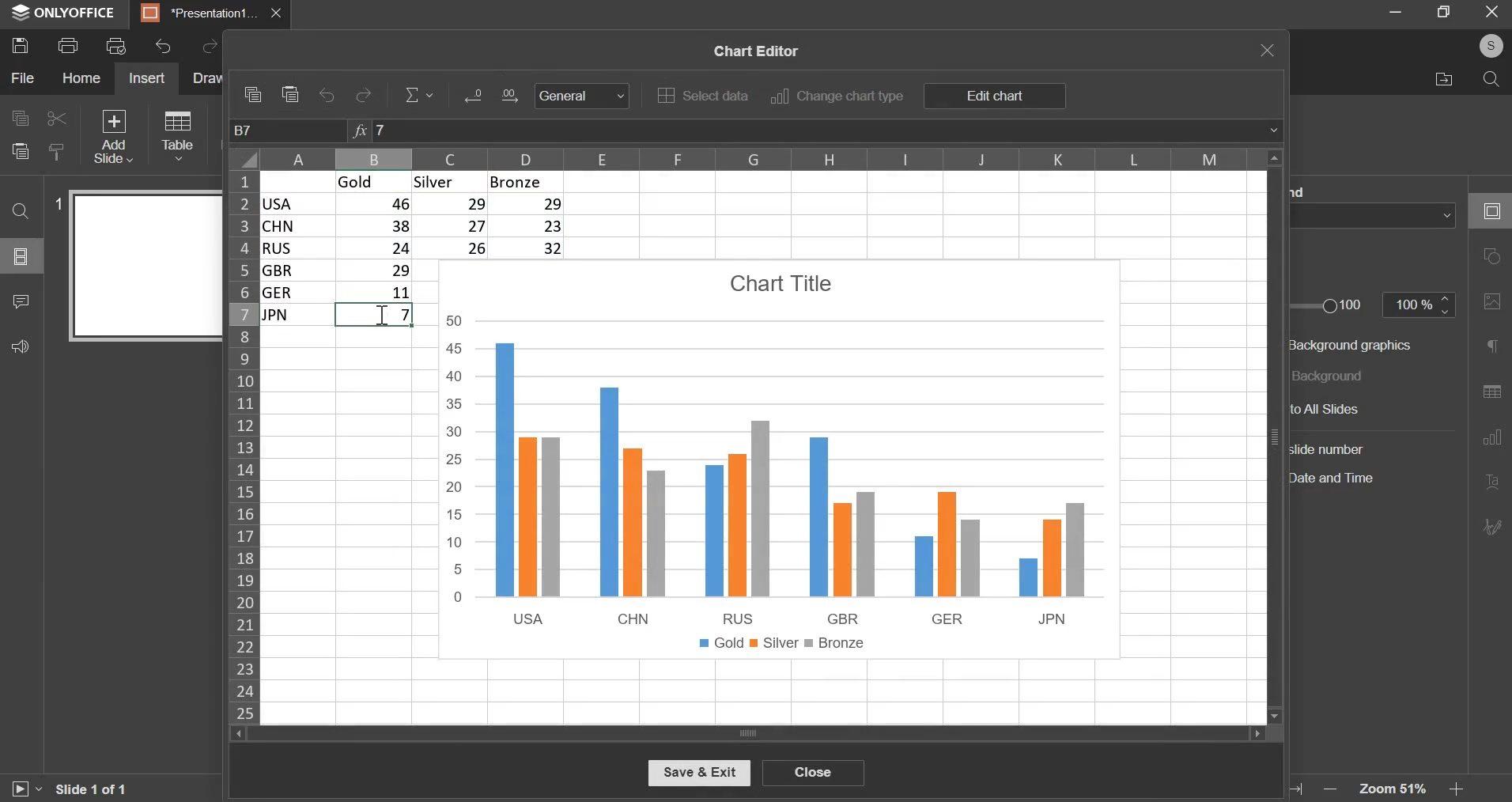 Image resolution: width=1512 pixels, height=802 pixels. Describe the element at coordinates (702, 95) in the screenshot. I see `select data` at that location.